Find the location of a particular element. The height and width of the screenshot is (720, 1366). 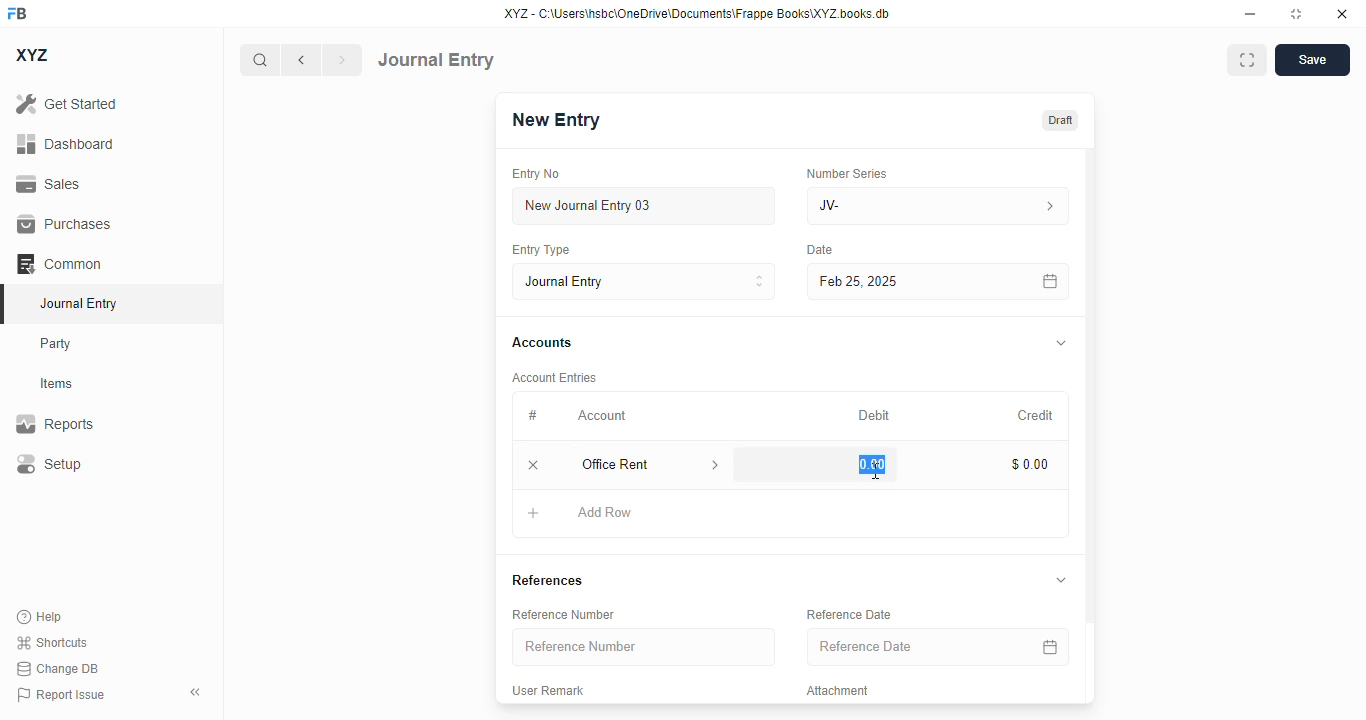

journal entry is located at coordinates (436, 60).